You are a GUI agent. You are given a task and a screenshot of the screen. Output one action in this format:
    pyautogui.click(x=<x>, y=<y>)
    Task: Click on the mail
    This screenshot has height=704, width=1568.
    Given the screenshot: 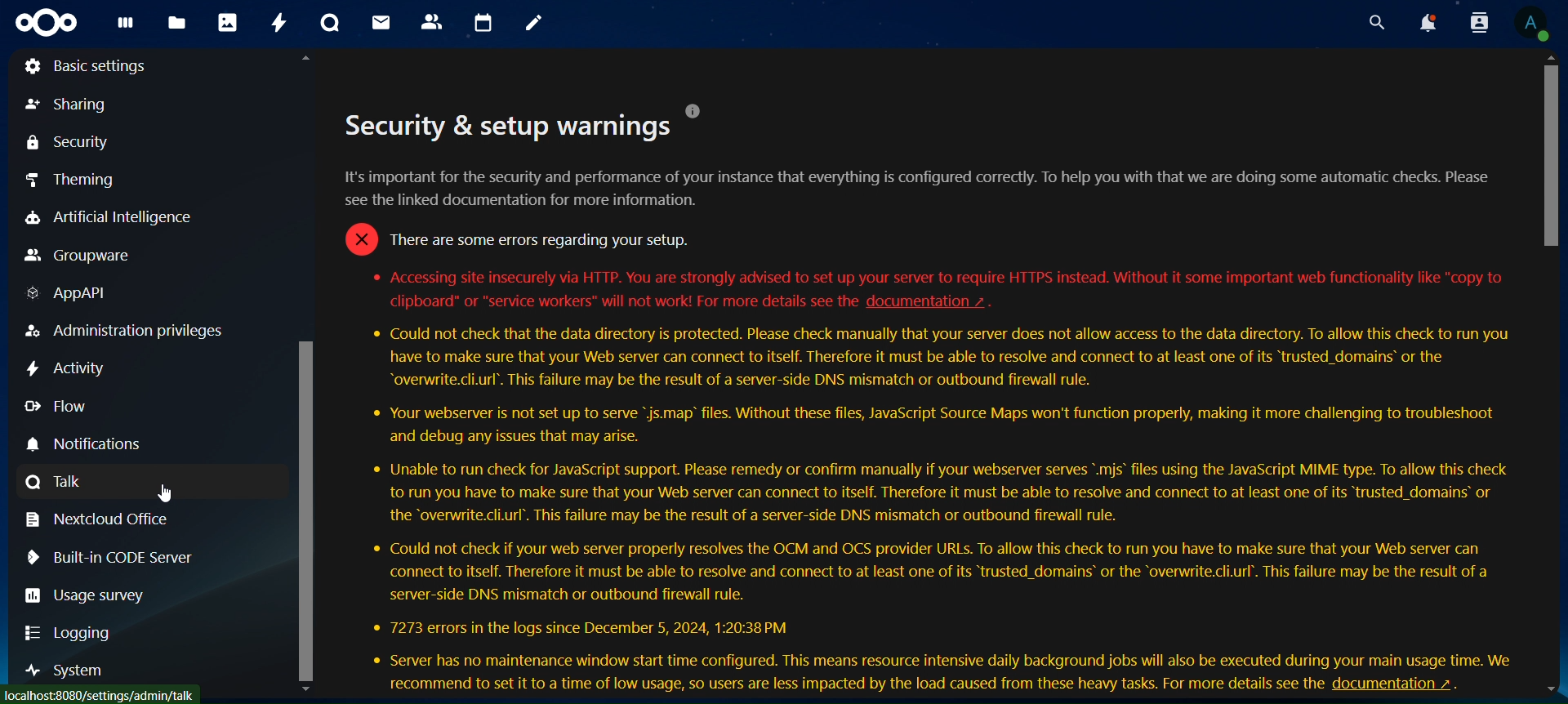 What is the action you would take?
    pyautogui.click(x=381, y=22)
    